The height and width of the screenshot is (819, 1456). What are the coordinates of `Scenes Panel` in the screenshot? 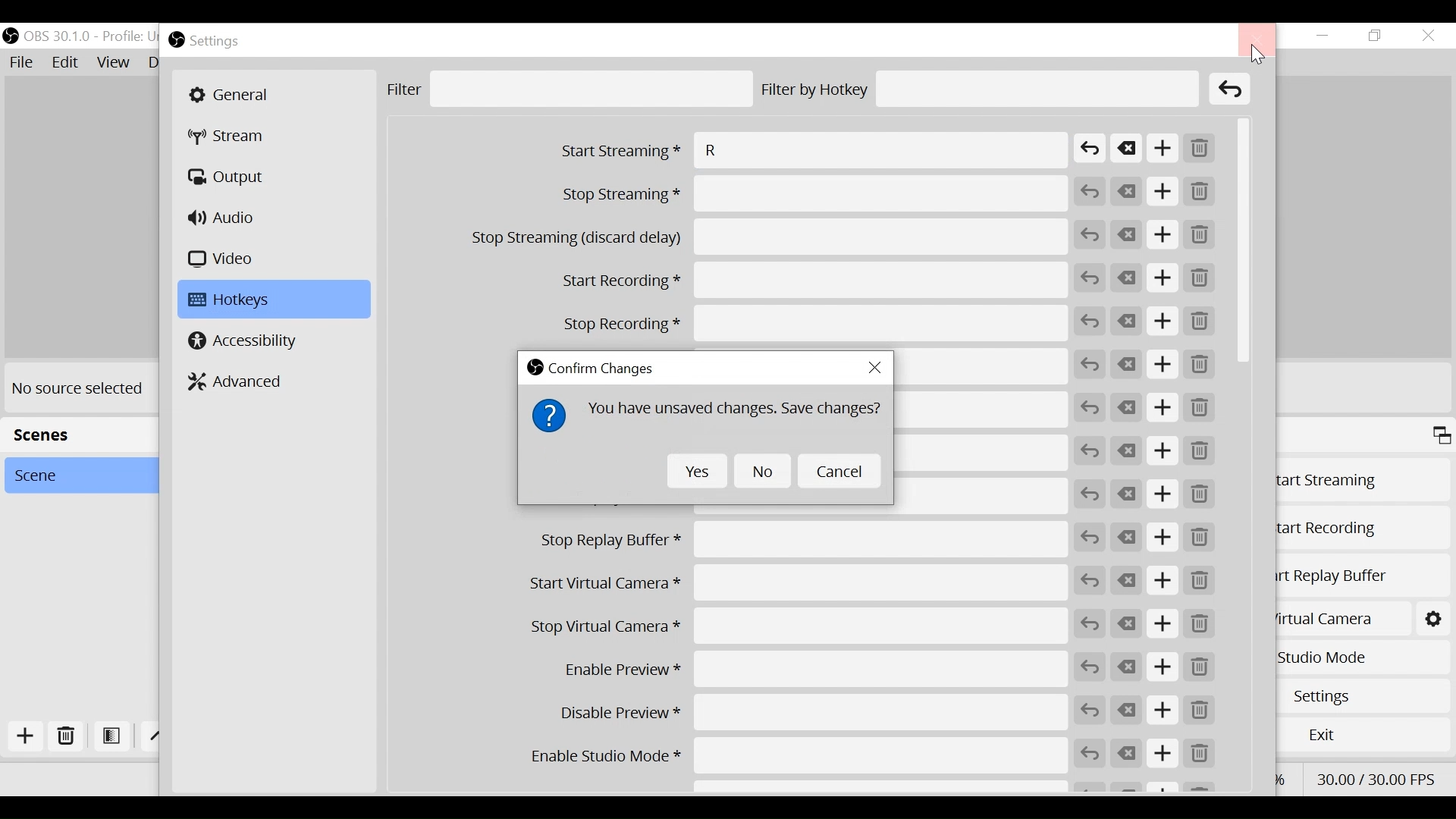 It's located at (74, 433).